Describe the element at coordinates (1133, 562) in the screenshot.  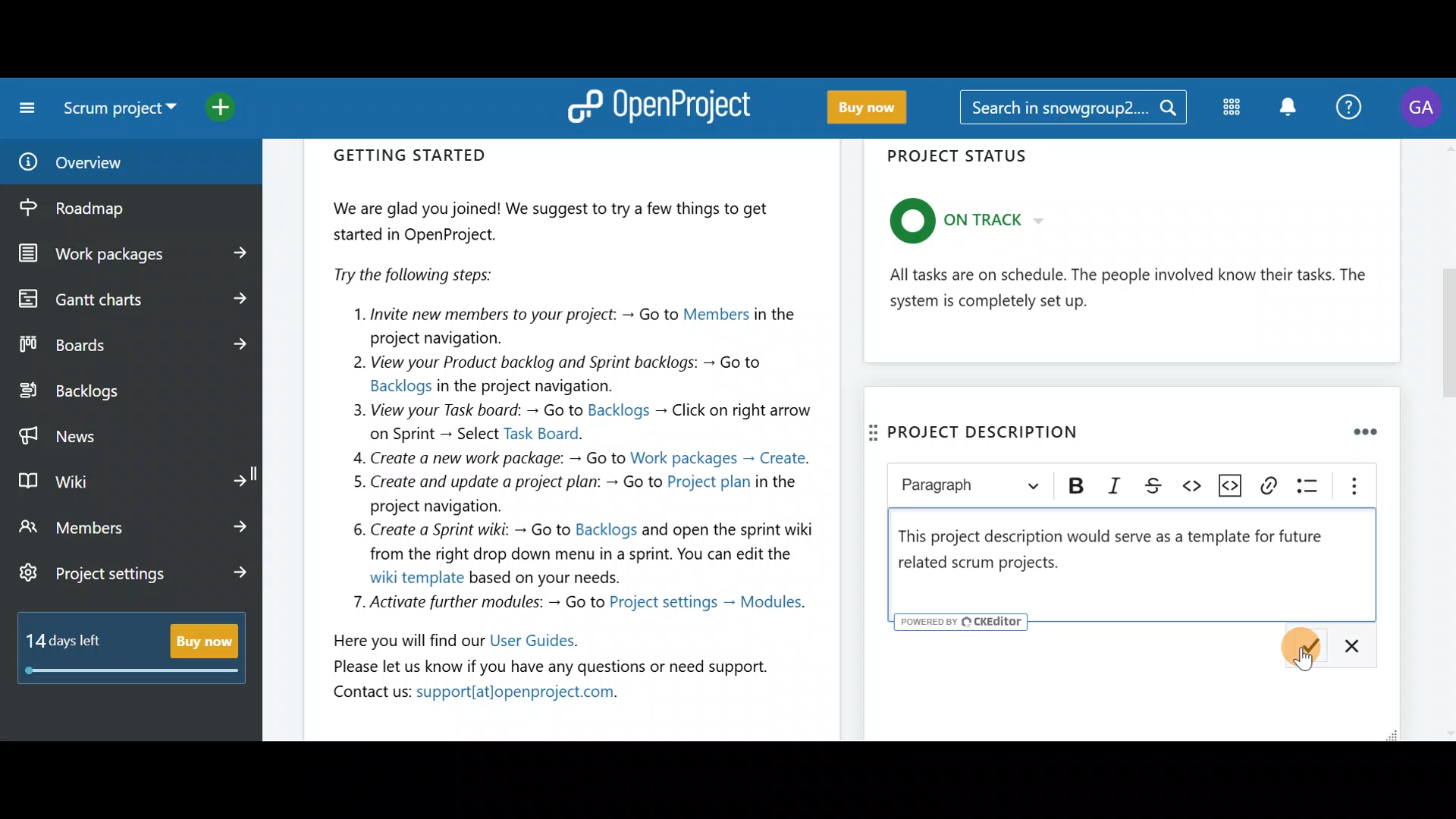
I see `Text editor` at that location.